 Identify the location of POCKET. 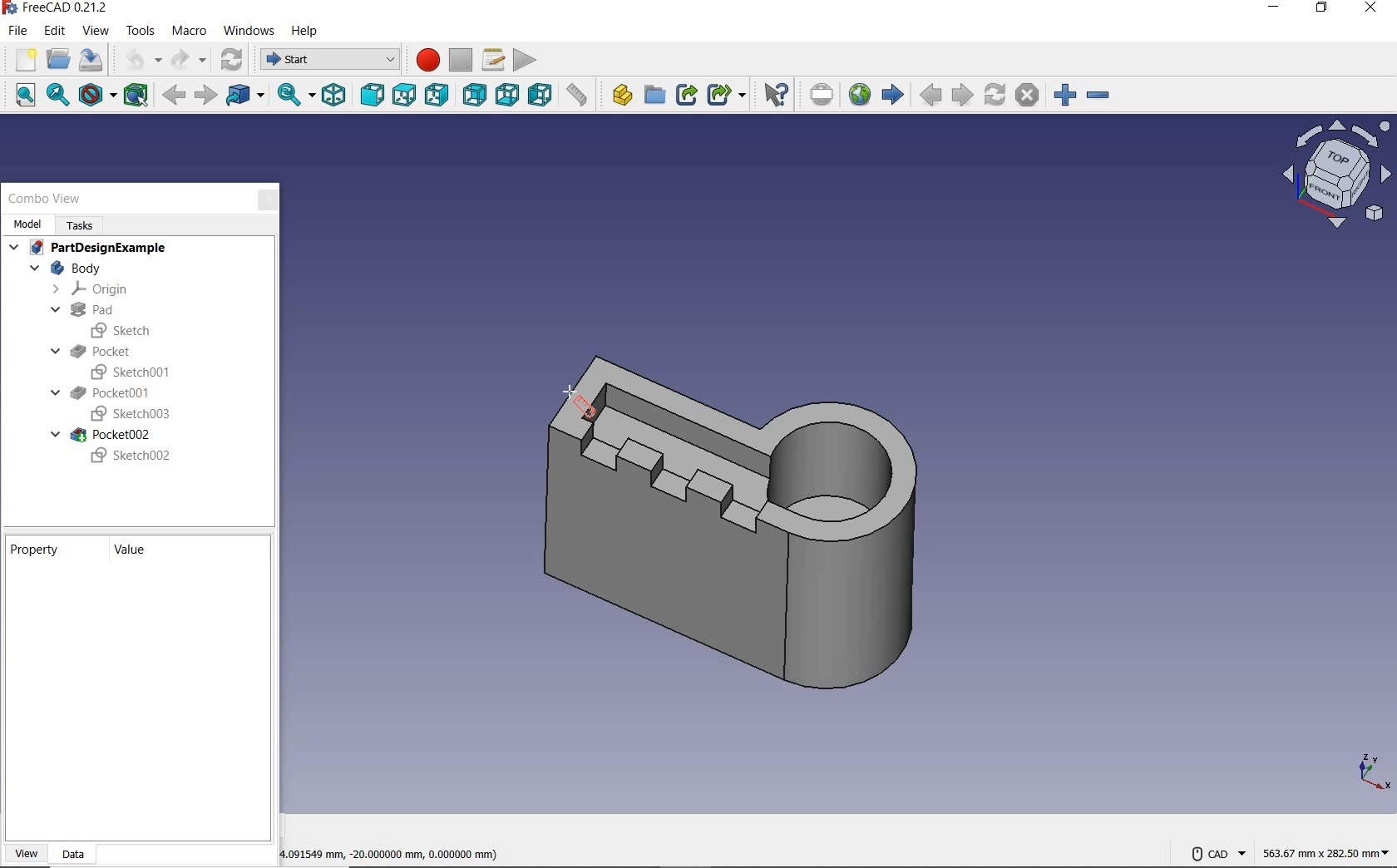
(93, 351).